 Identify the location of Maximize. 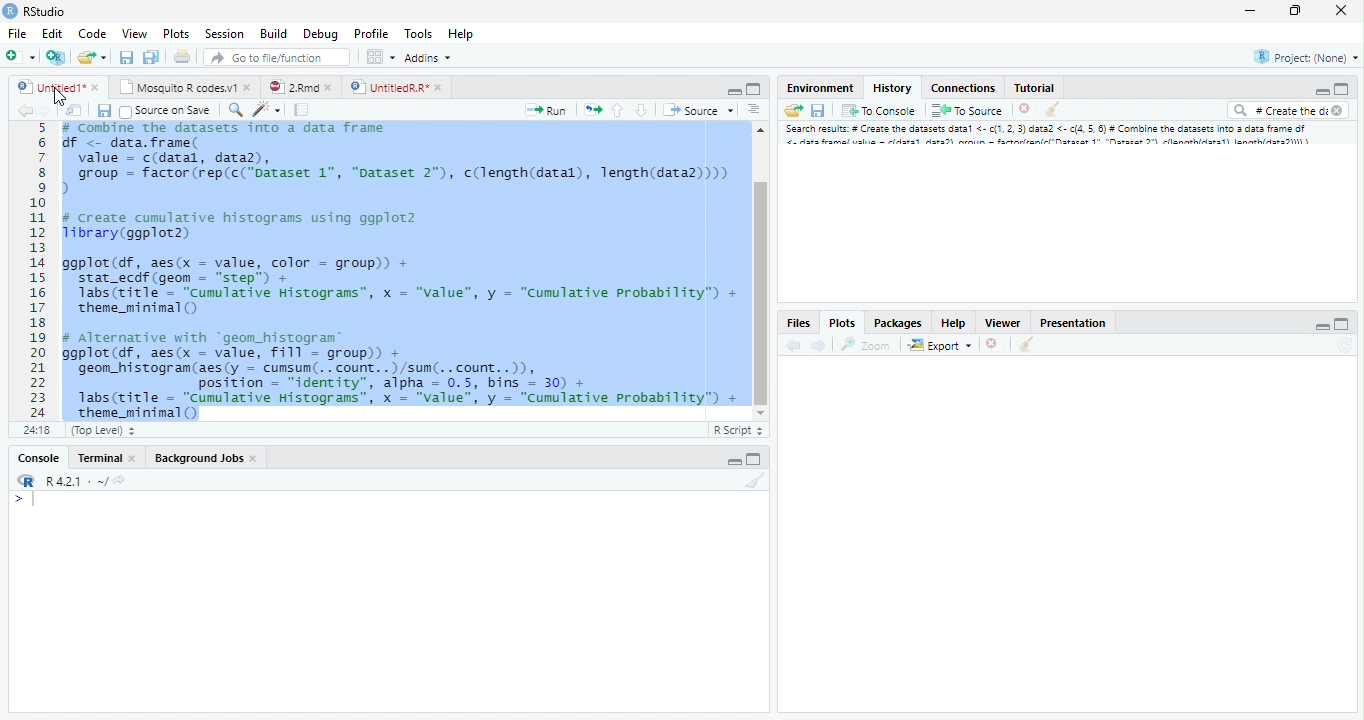
(757, 460).